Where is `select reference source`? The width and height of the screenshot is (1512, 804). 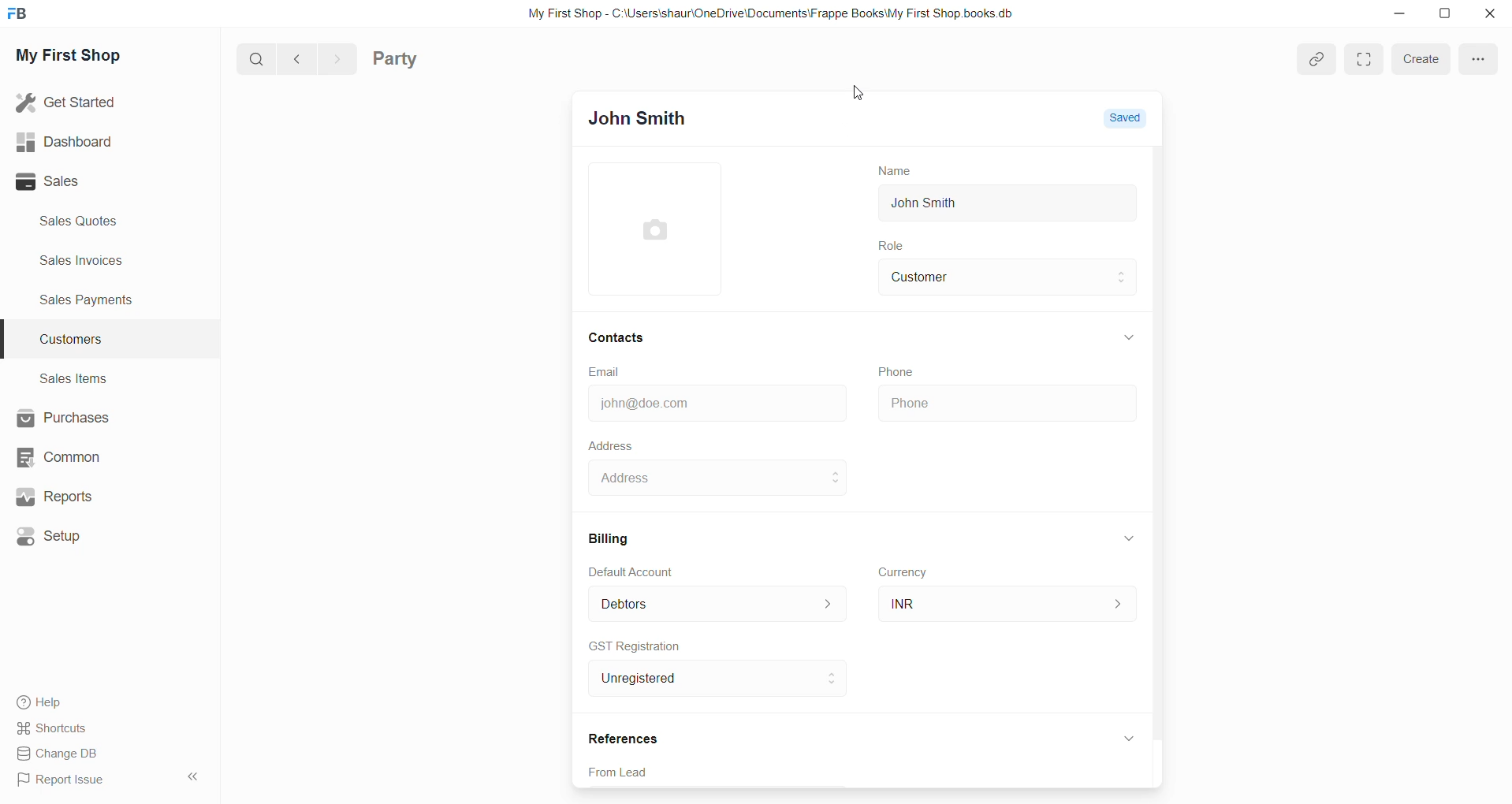 select reference source is located at coordinates (868, 773).